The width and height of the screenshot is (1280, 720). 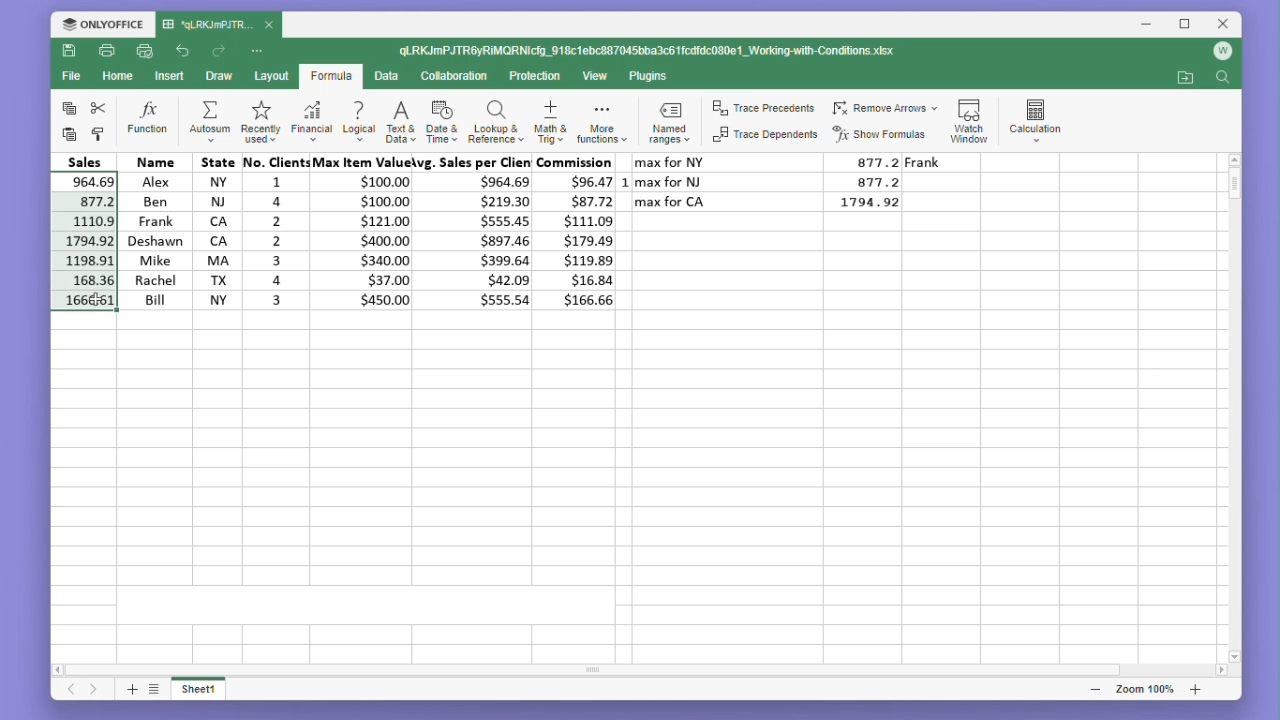 I want to click on quick print, so click(x=142, y=50).